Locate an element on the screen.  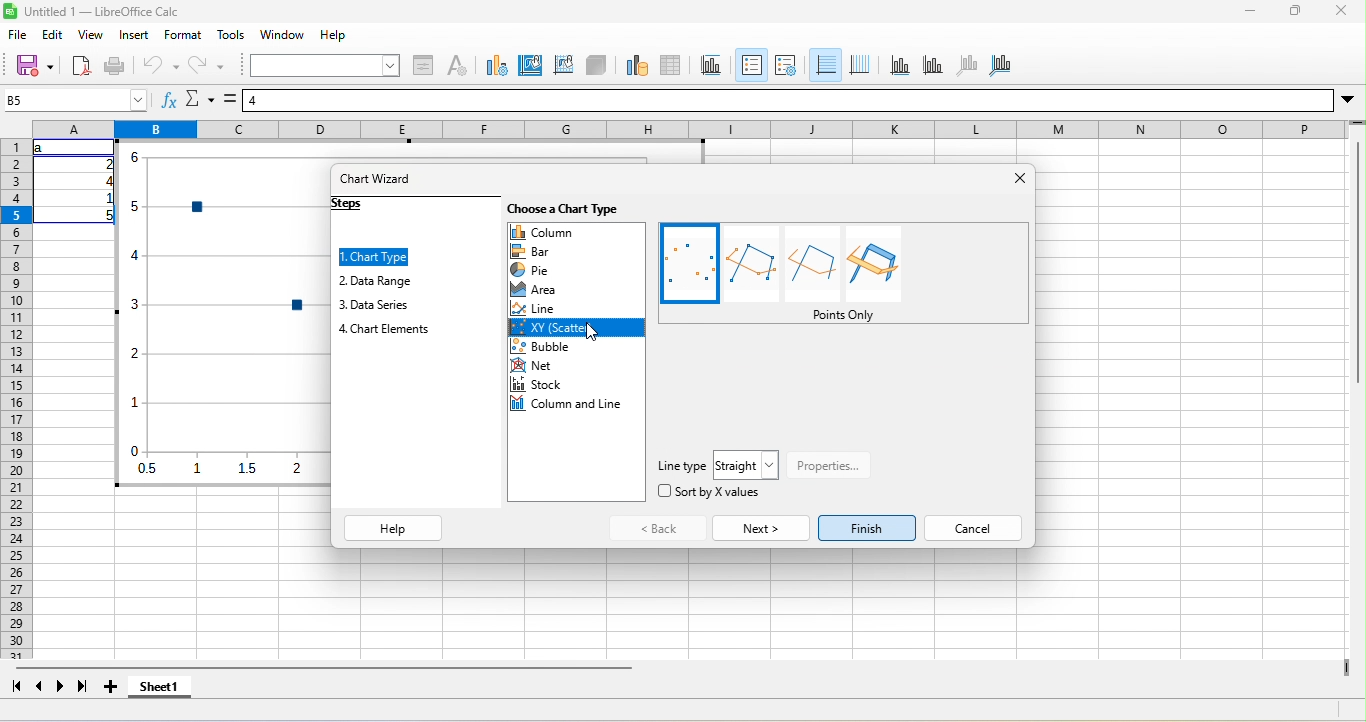
file is located at coordinates (18, 35).